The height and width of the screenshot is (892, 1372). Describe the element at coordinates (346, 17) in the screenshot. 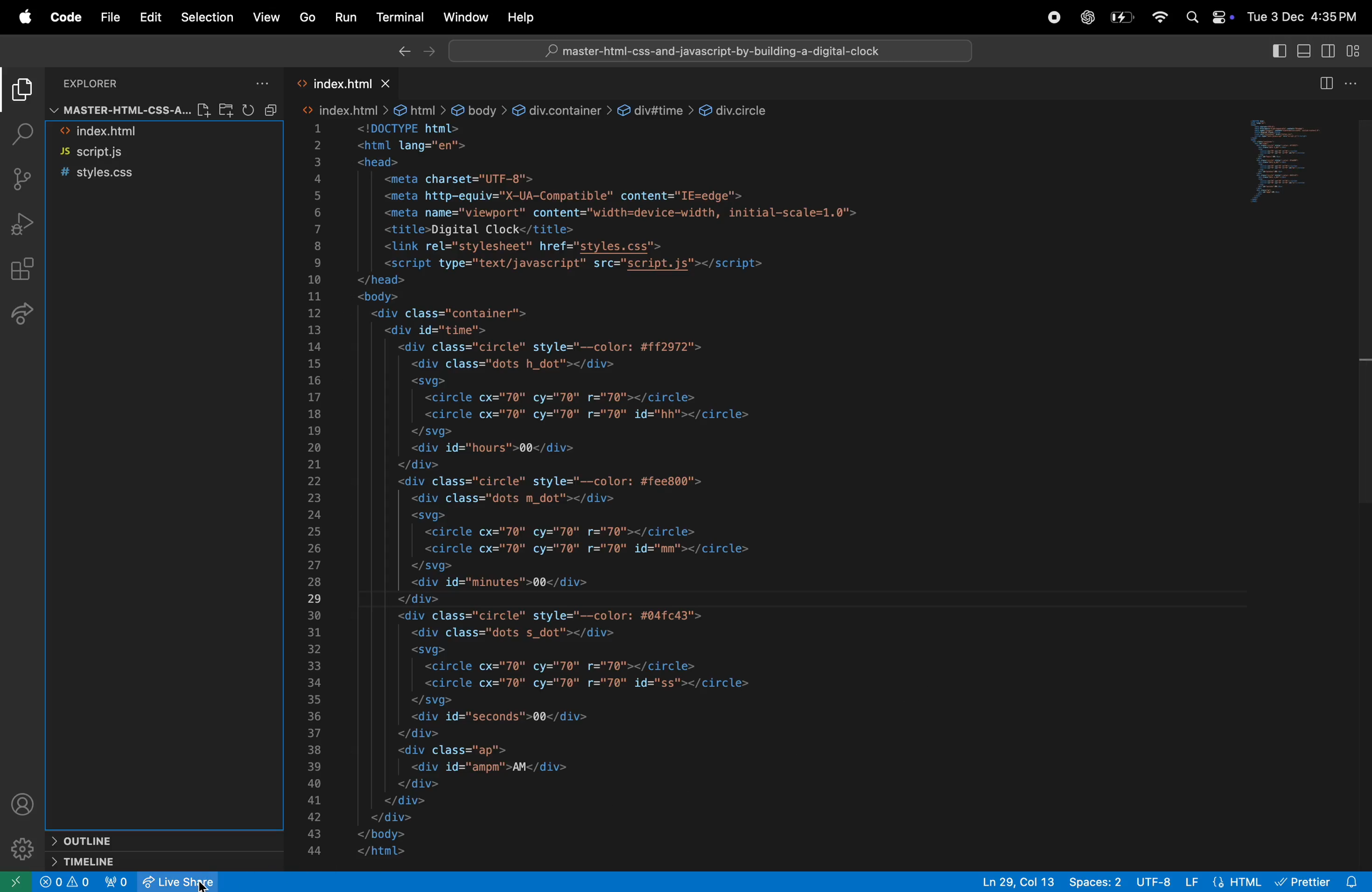

I see `run` at that location.